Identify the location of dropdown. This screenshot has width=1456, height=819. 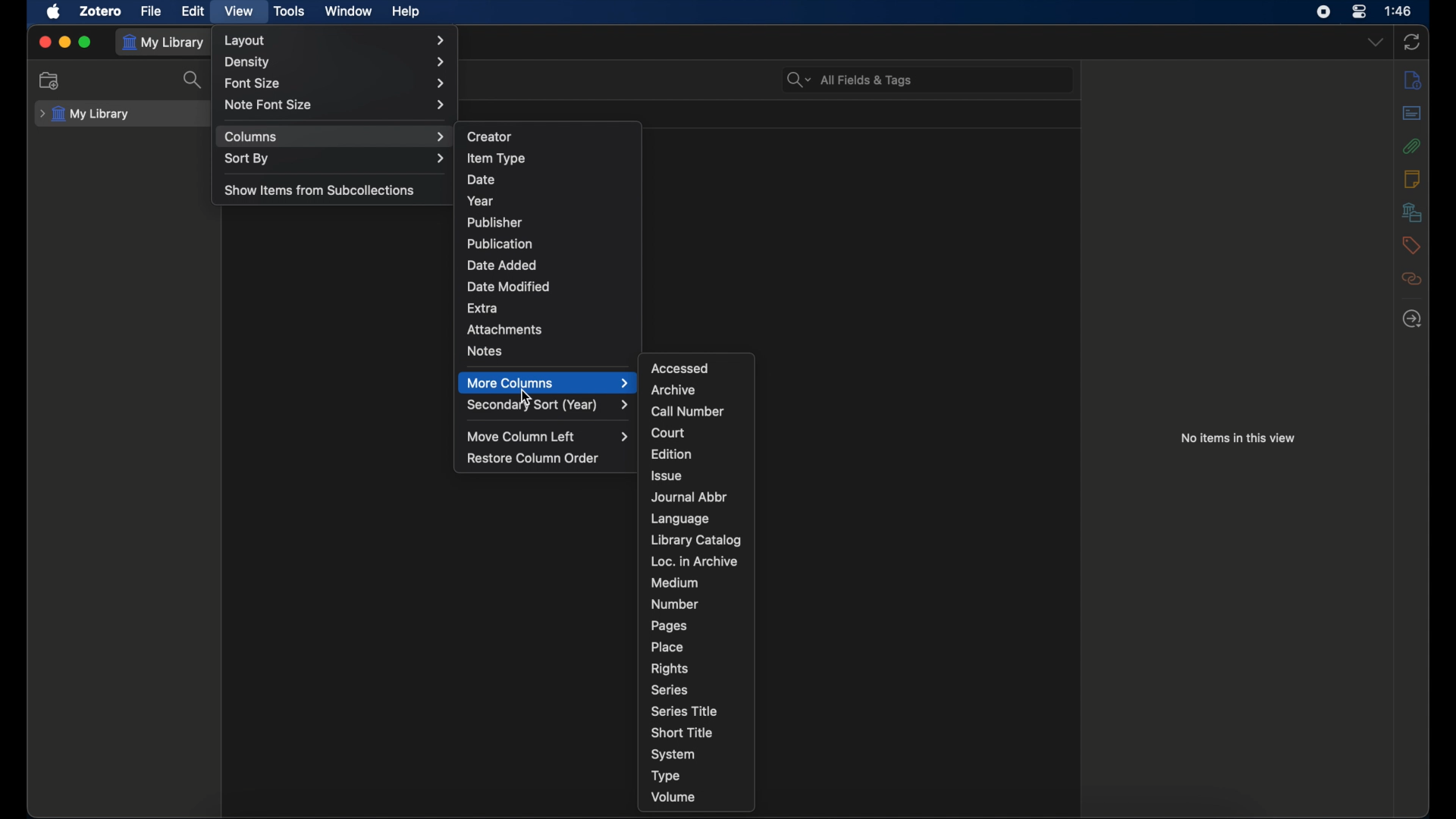
(1375, 42).